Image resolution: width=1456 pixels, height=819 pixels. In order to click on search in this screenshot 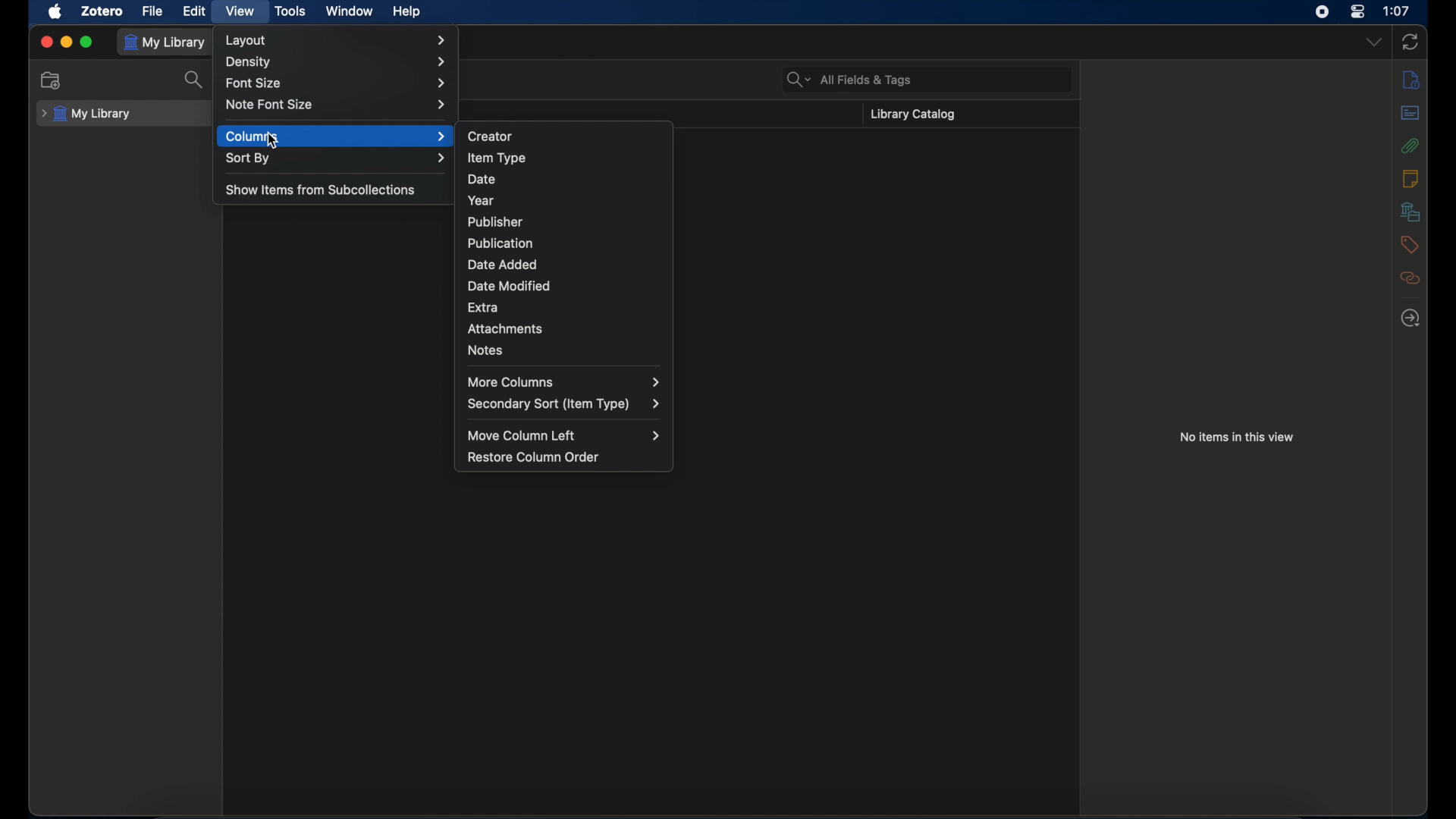, I will do `click(196, 80)`.